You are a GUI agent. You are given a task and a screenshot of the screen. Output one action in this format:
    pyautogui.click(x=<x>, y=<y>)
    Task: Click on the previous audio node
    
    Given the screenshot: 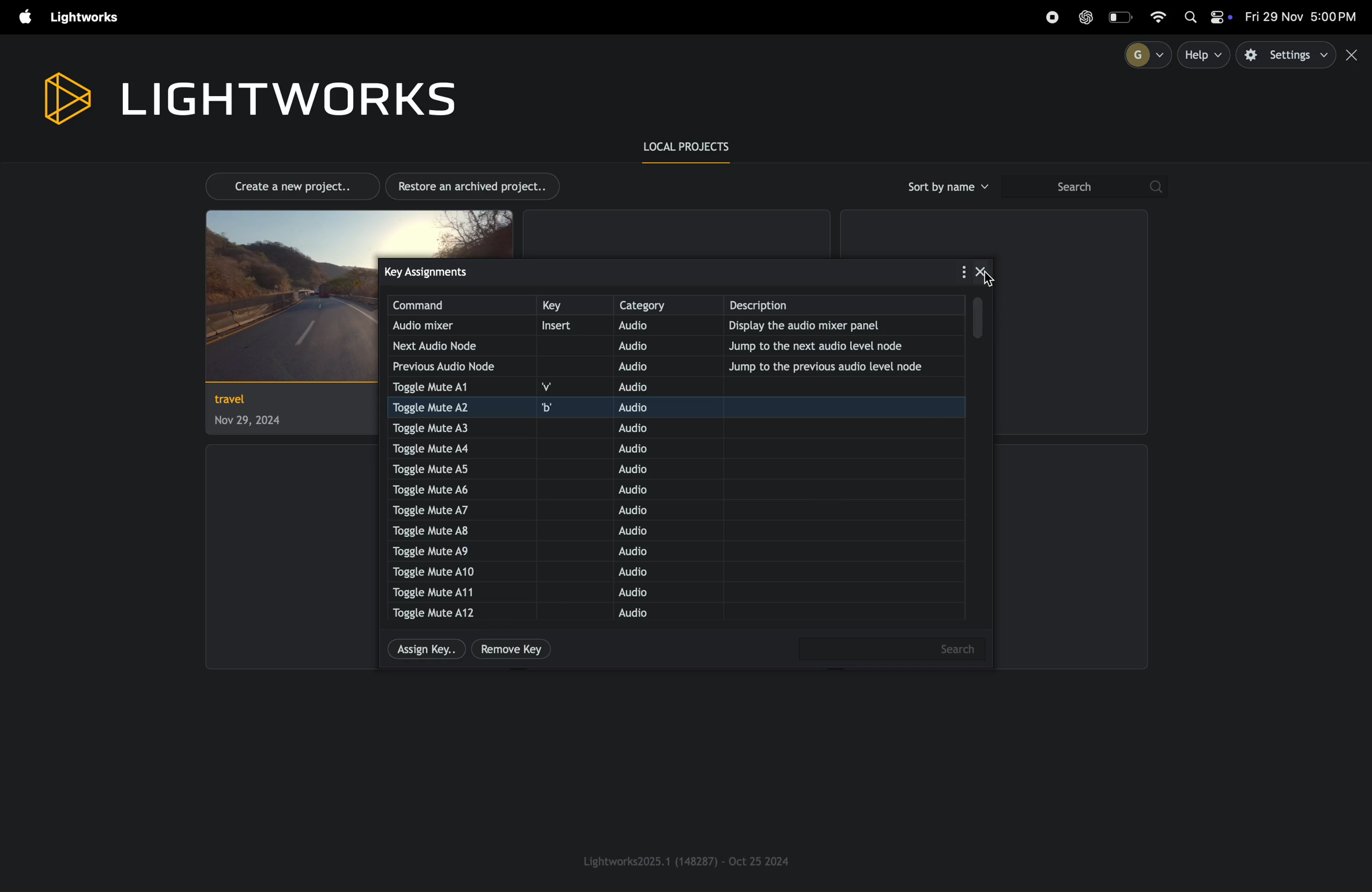 What is the action you would take?
    pyautogui.click(x=448, y=366)
    